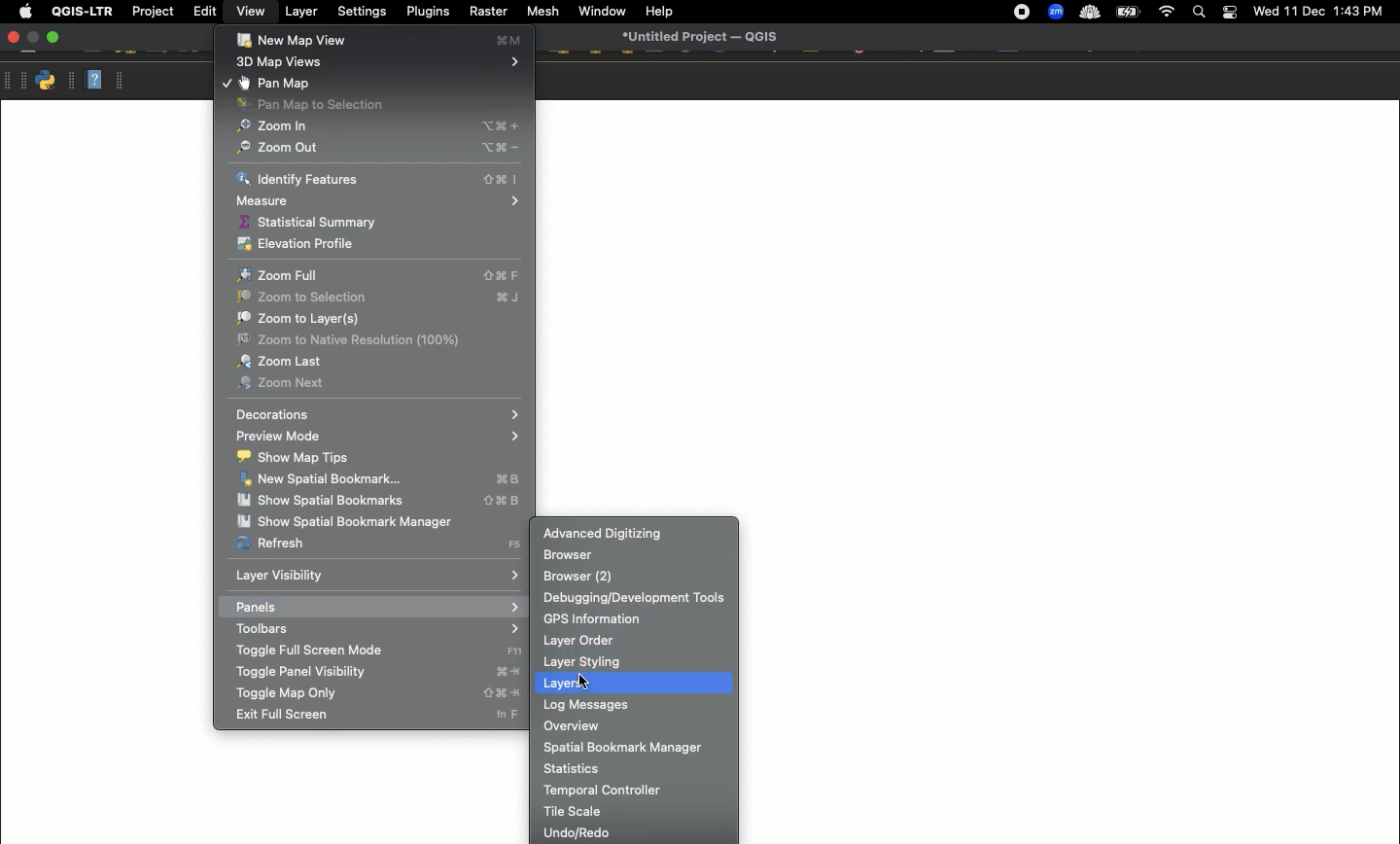 This screenshot has width=1400, height=844. Describe the element at coordinates (701, 36) in the screenshot. I see `untitied Project — QUIS` at that location.